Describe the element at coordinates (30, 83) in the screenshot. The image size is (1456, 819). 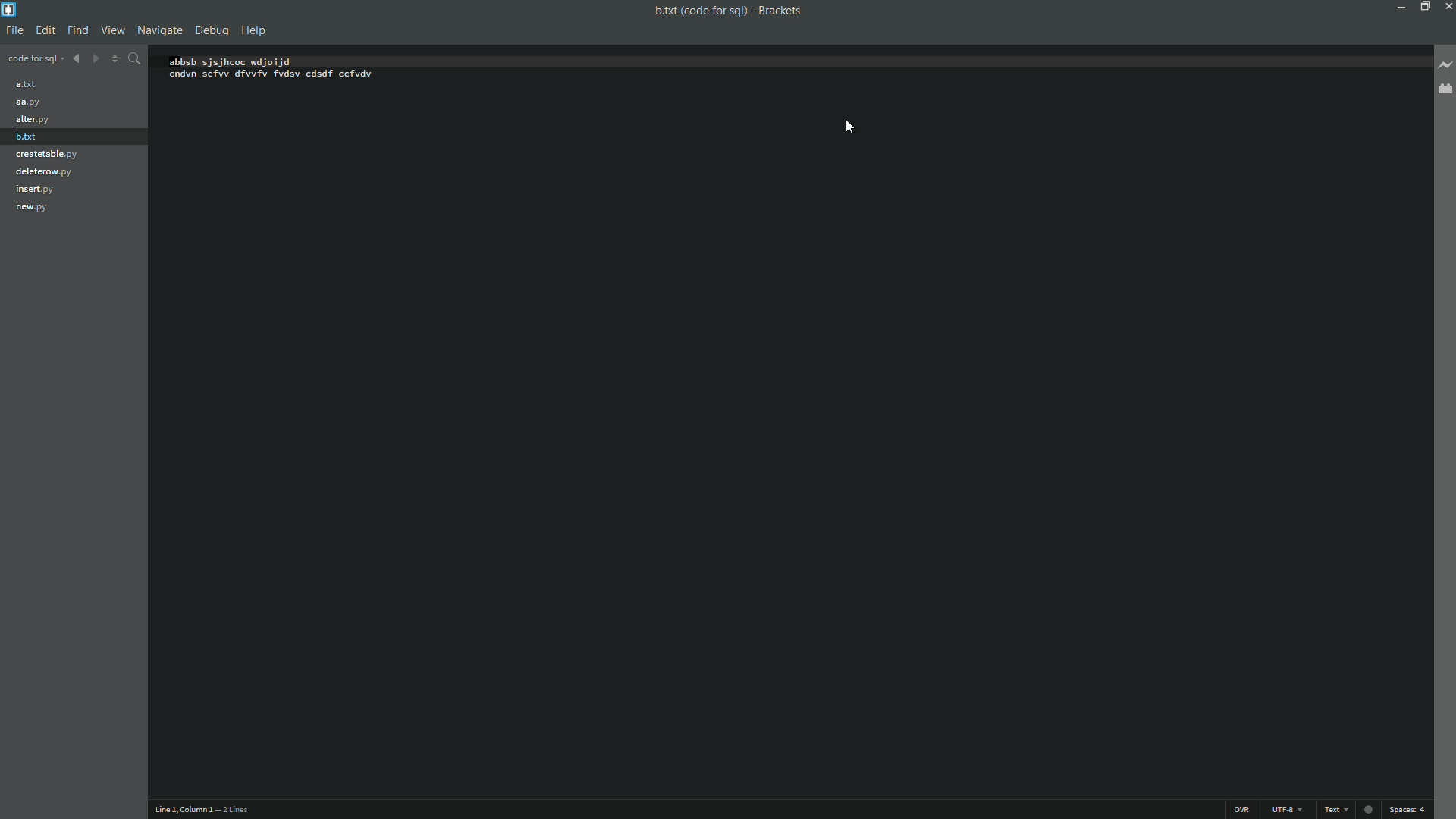
I see `a.txt` at that location.